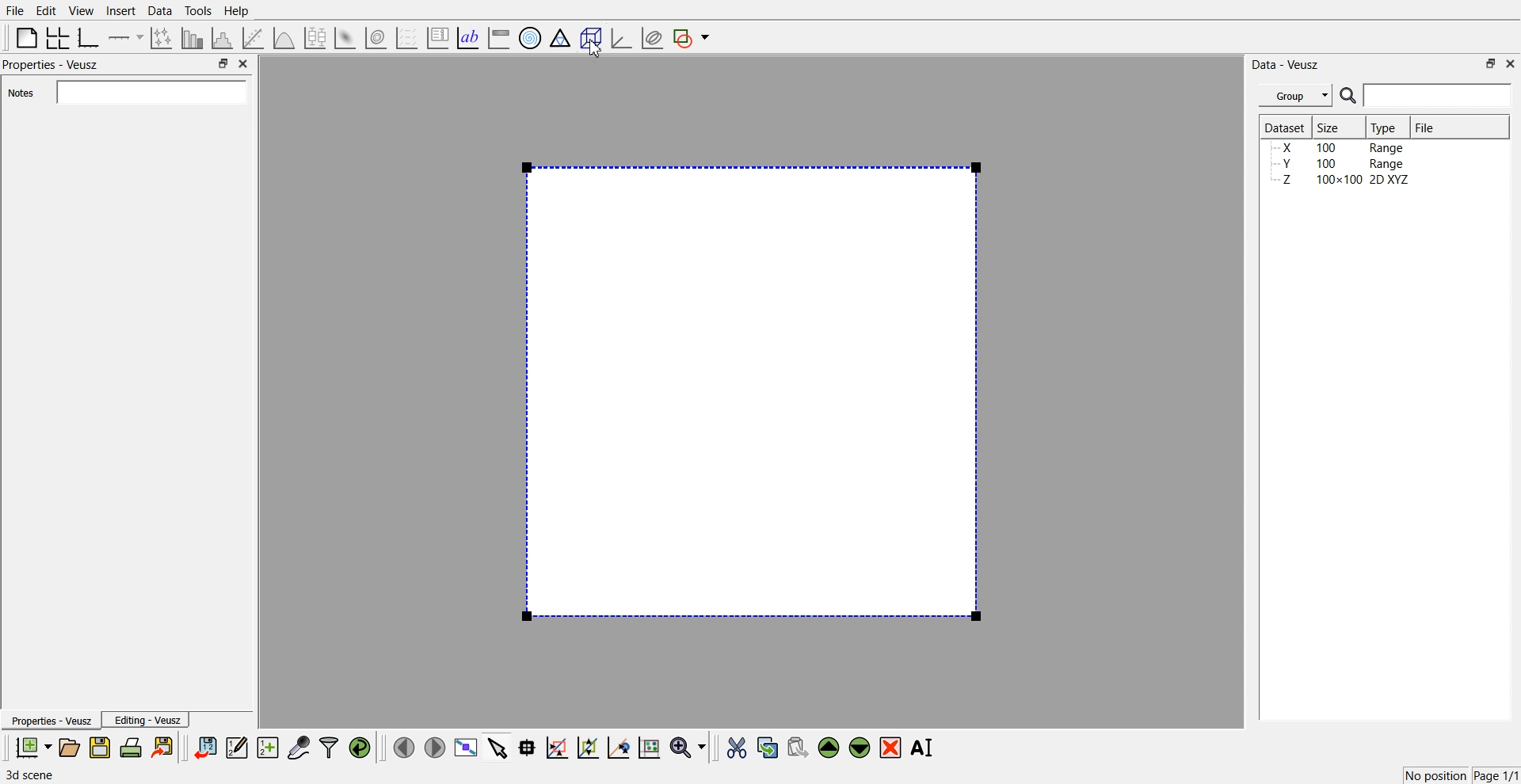 The height and width of the screenshot is (784, 1521). I want to click on Add shape to the plot, so click(691, 38).